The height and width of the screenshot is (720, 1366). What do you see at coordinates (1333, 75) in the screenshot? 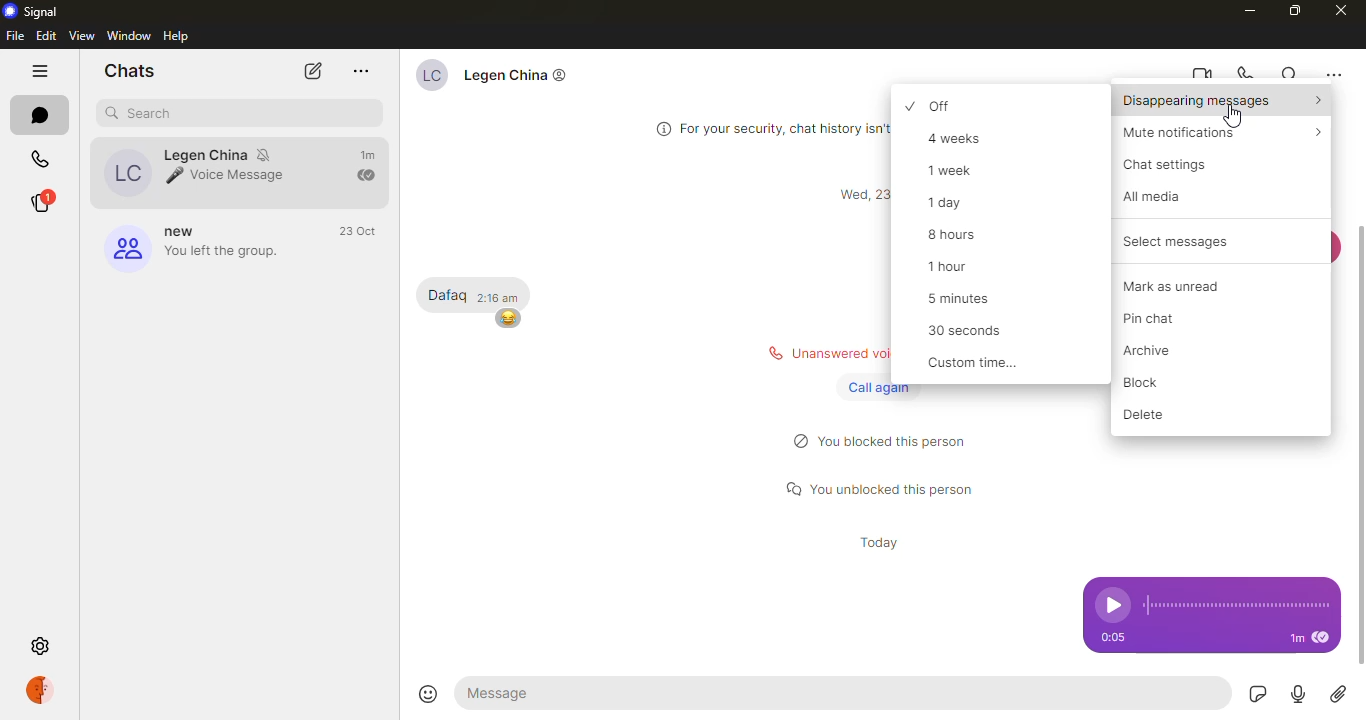
I see `more` at bounding box center [1333, 75].